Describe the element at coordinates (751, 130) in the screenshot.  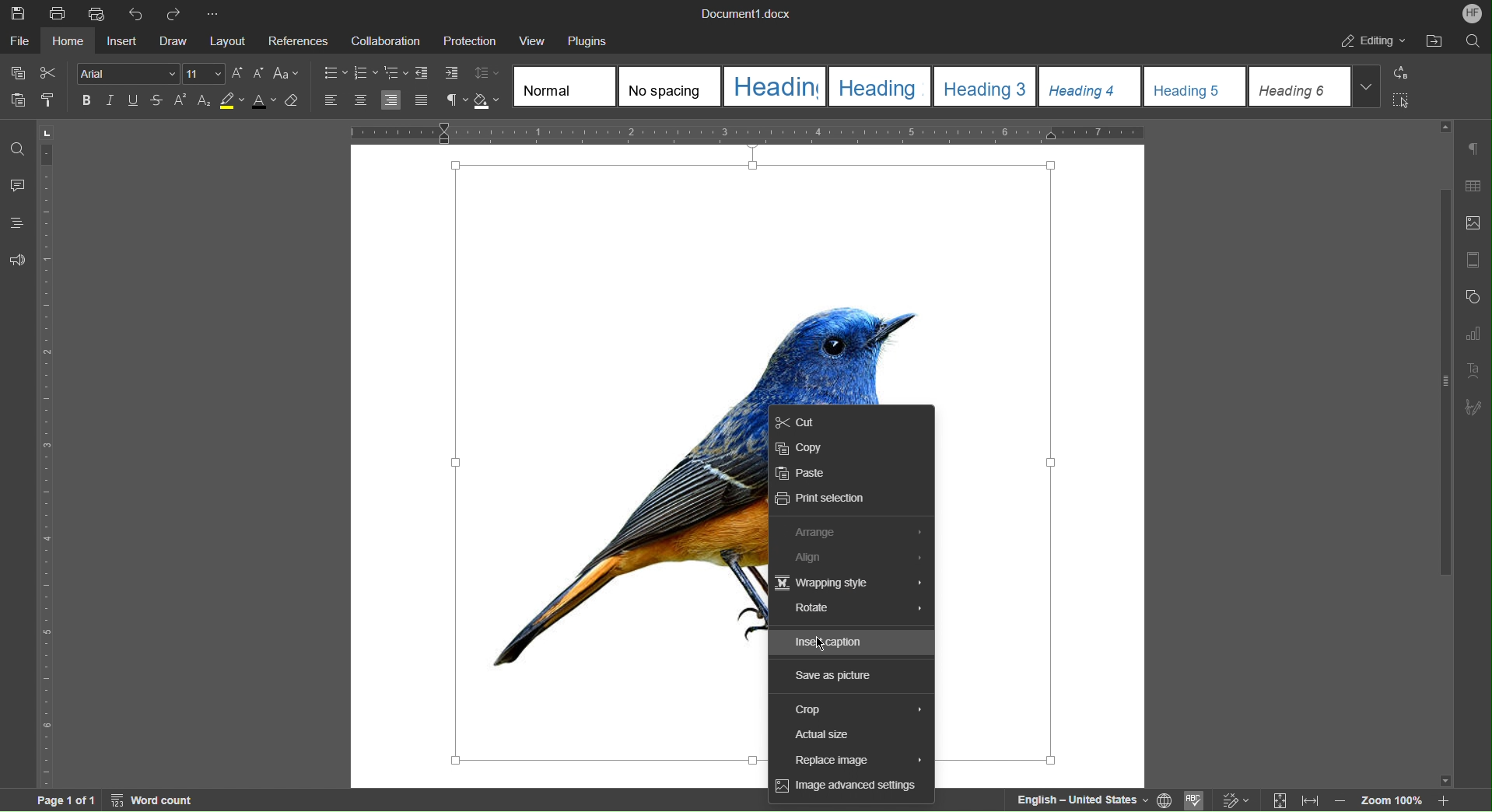
I see `Horizontal Ruler` at that location.